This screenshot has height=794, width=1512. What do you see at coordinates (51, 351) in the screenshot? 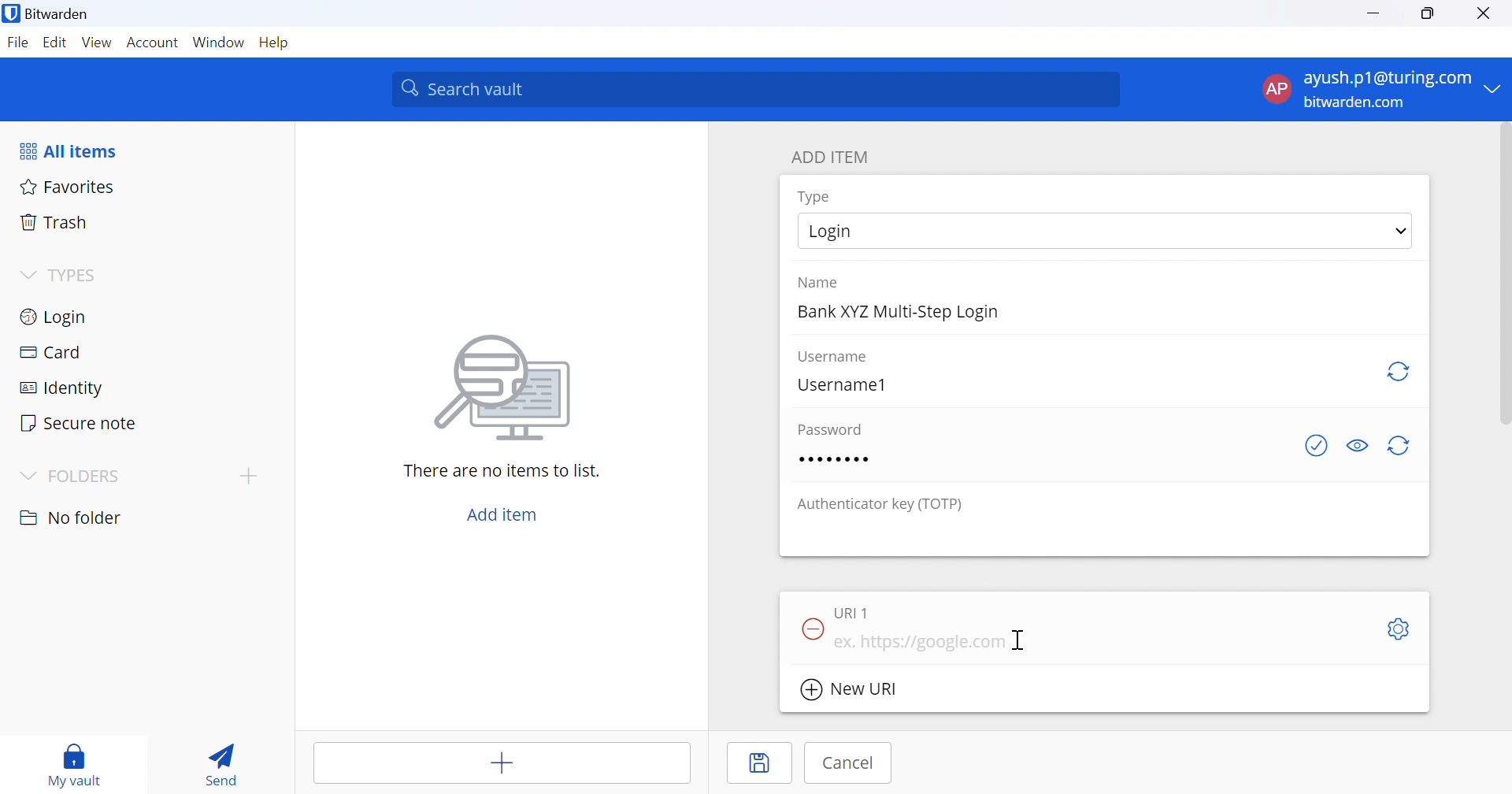
I see `Card` at bounding box center [51, 351].